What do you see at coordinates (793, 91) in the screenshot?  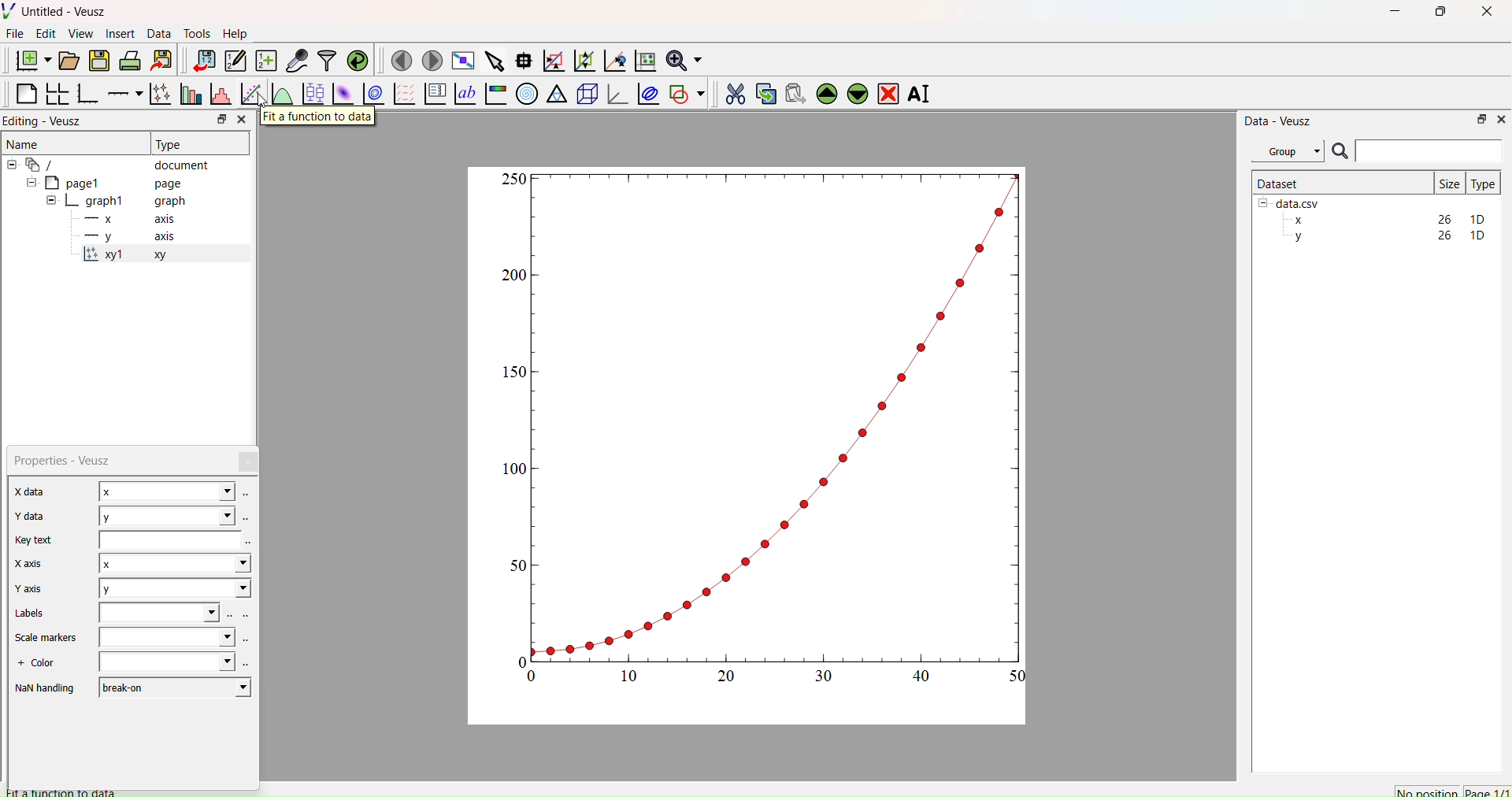 I see `Paste` at bounding box center [793, 91].